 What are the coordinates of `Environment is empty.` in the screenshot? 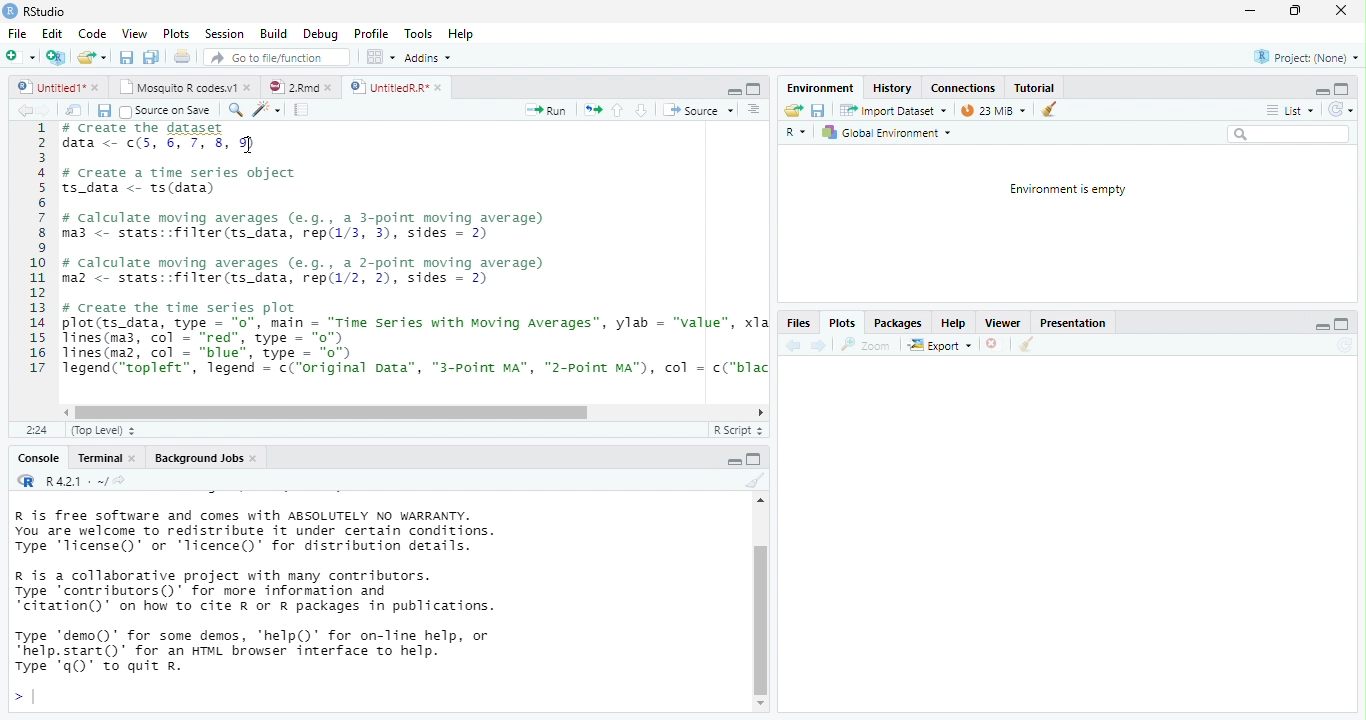 It's located at (1067, 190).